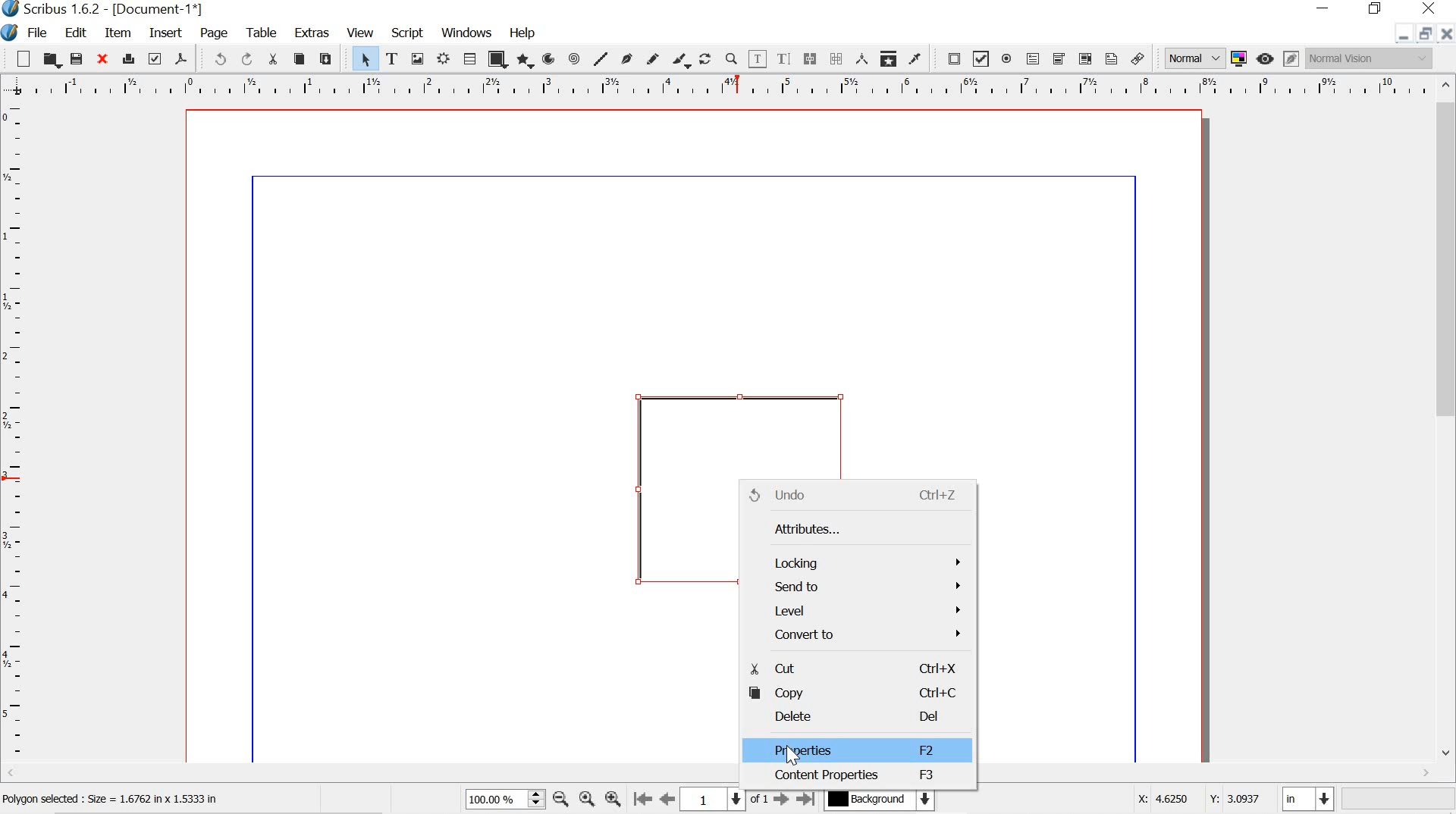  I want to click on polygon, so click(523, 61).